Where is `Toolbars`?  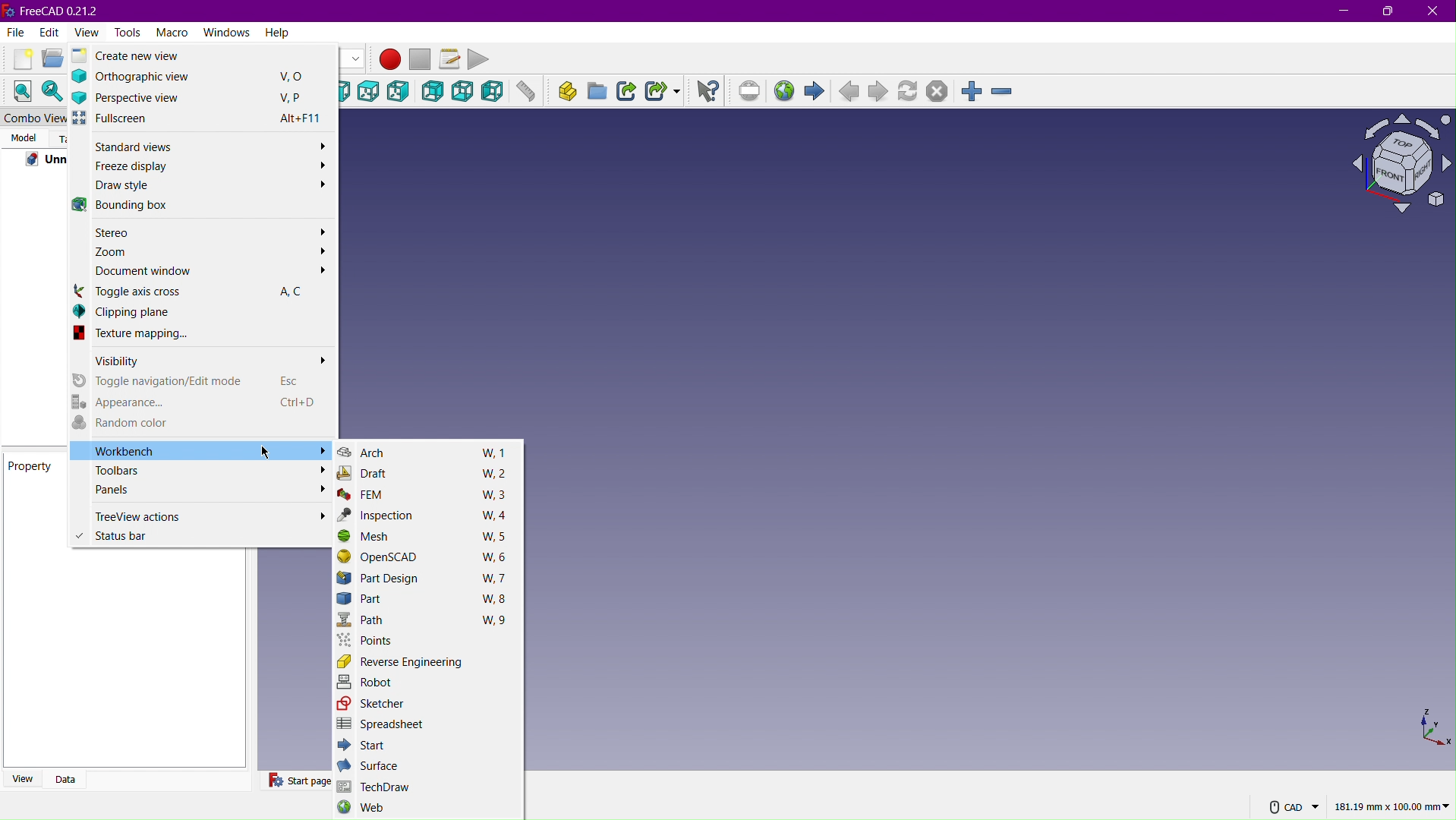
Toolbars is located at coordinates (201, 471).